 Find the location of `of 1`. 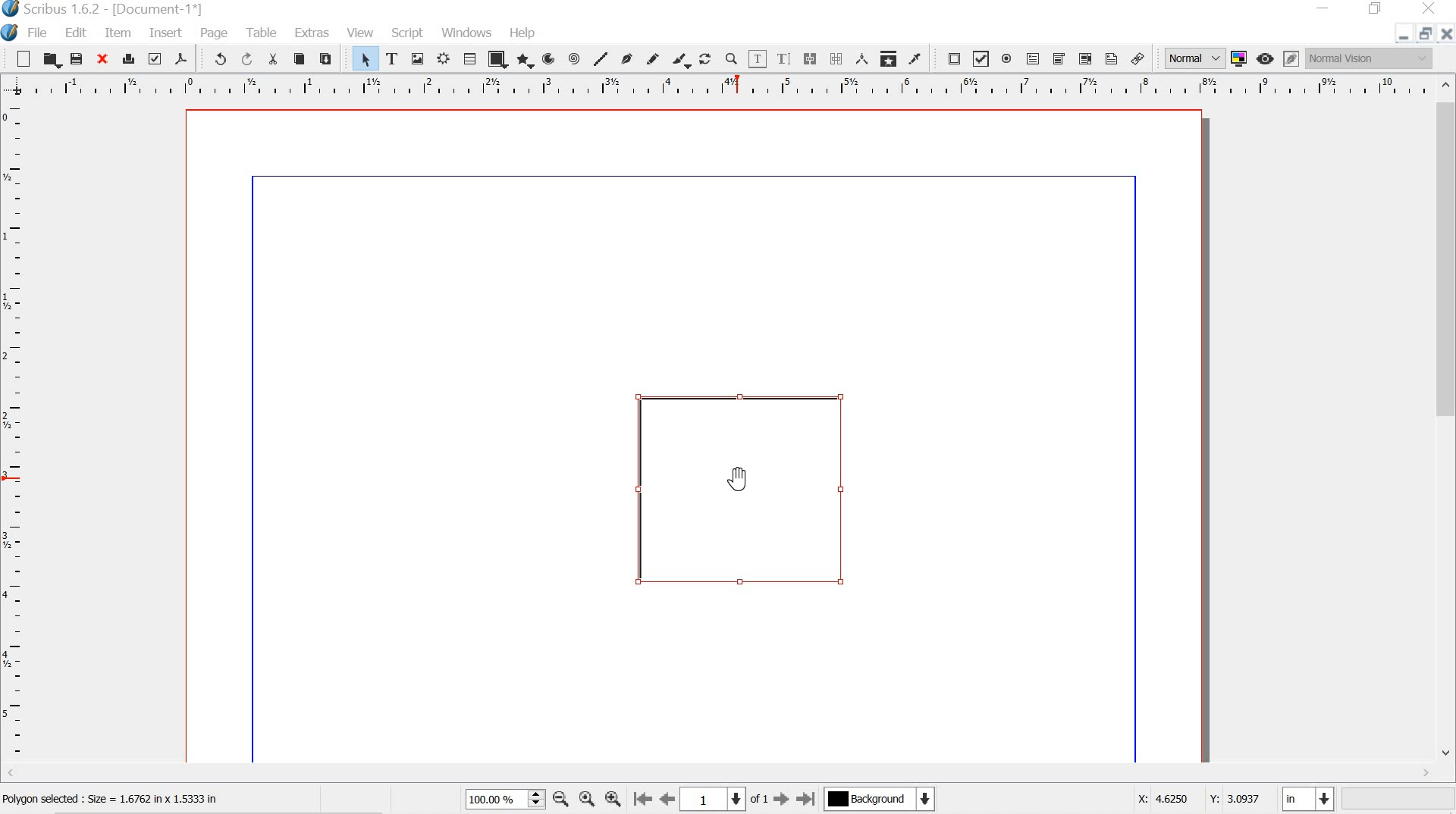

of 1 is located at coordinates (760, 800).